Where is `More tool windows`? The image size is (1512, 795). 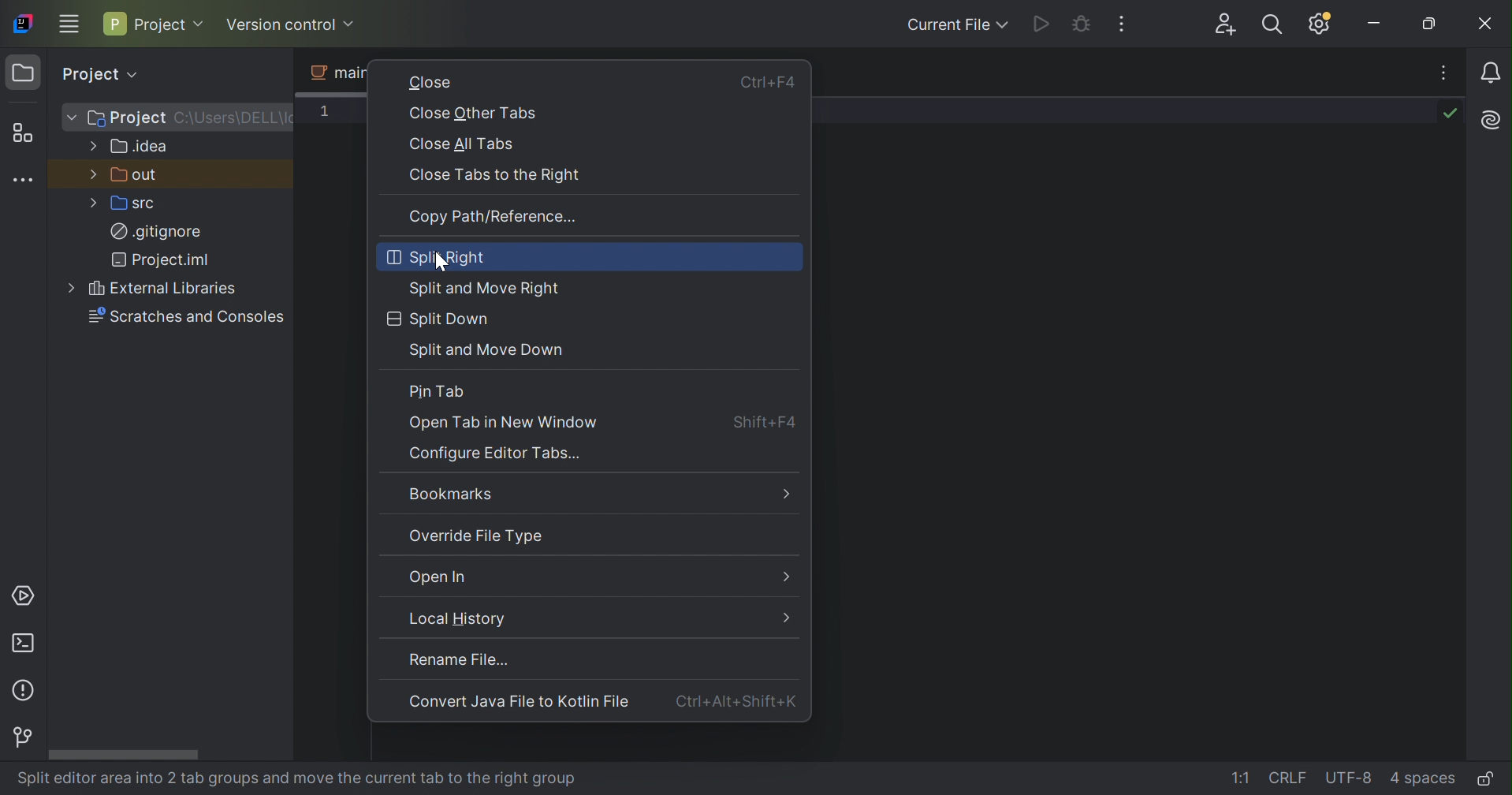 More tool windows is located at coordinates (24, 177).